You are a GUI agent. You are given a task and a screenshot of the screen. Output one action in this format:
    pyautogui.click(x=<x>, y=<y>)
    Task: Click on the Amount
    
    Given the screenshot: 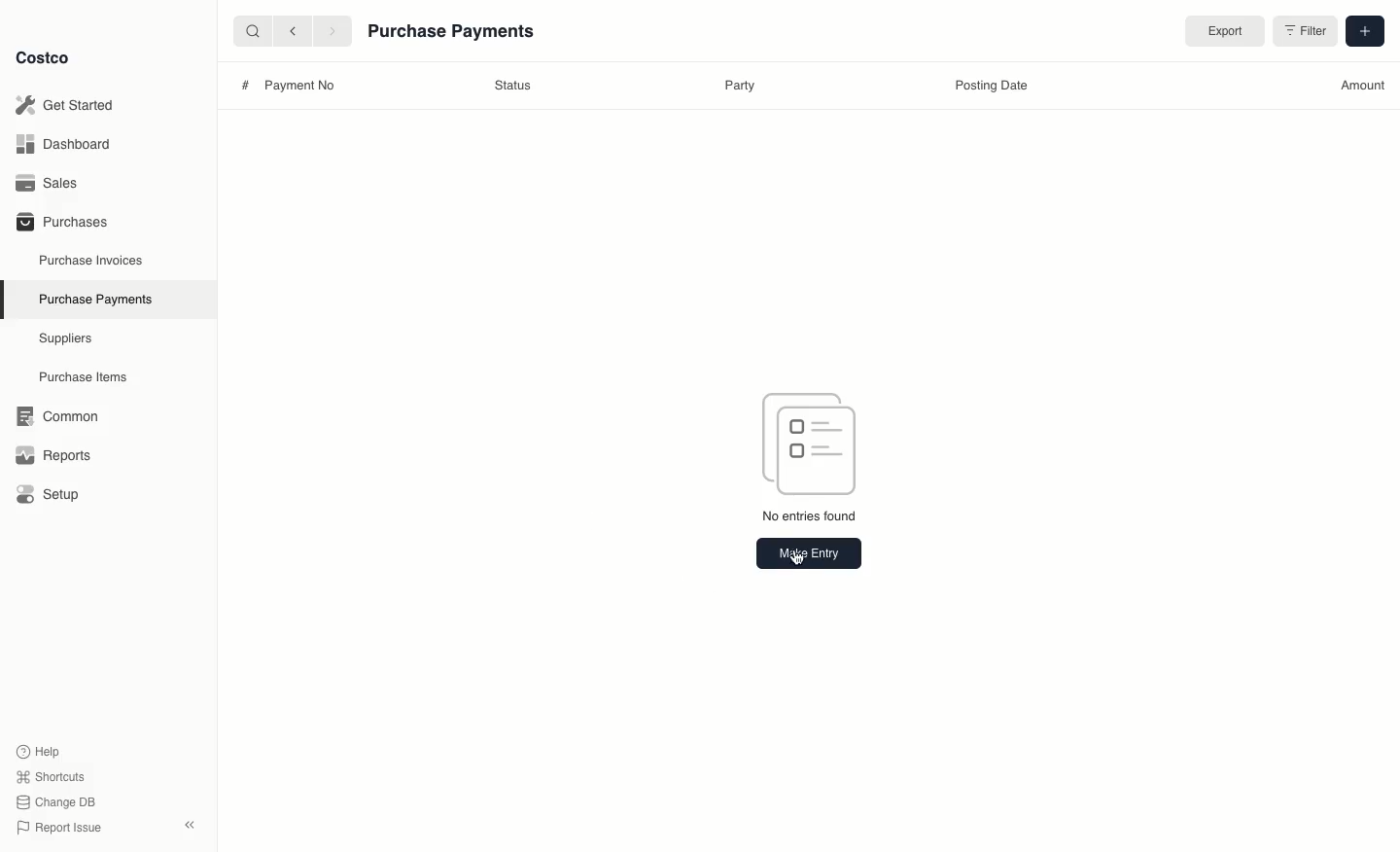 What is the action you would take?
    pyautogui.click(x=1363, y=85)
    